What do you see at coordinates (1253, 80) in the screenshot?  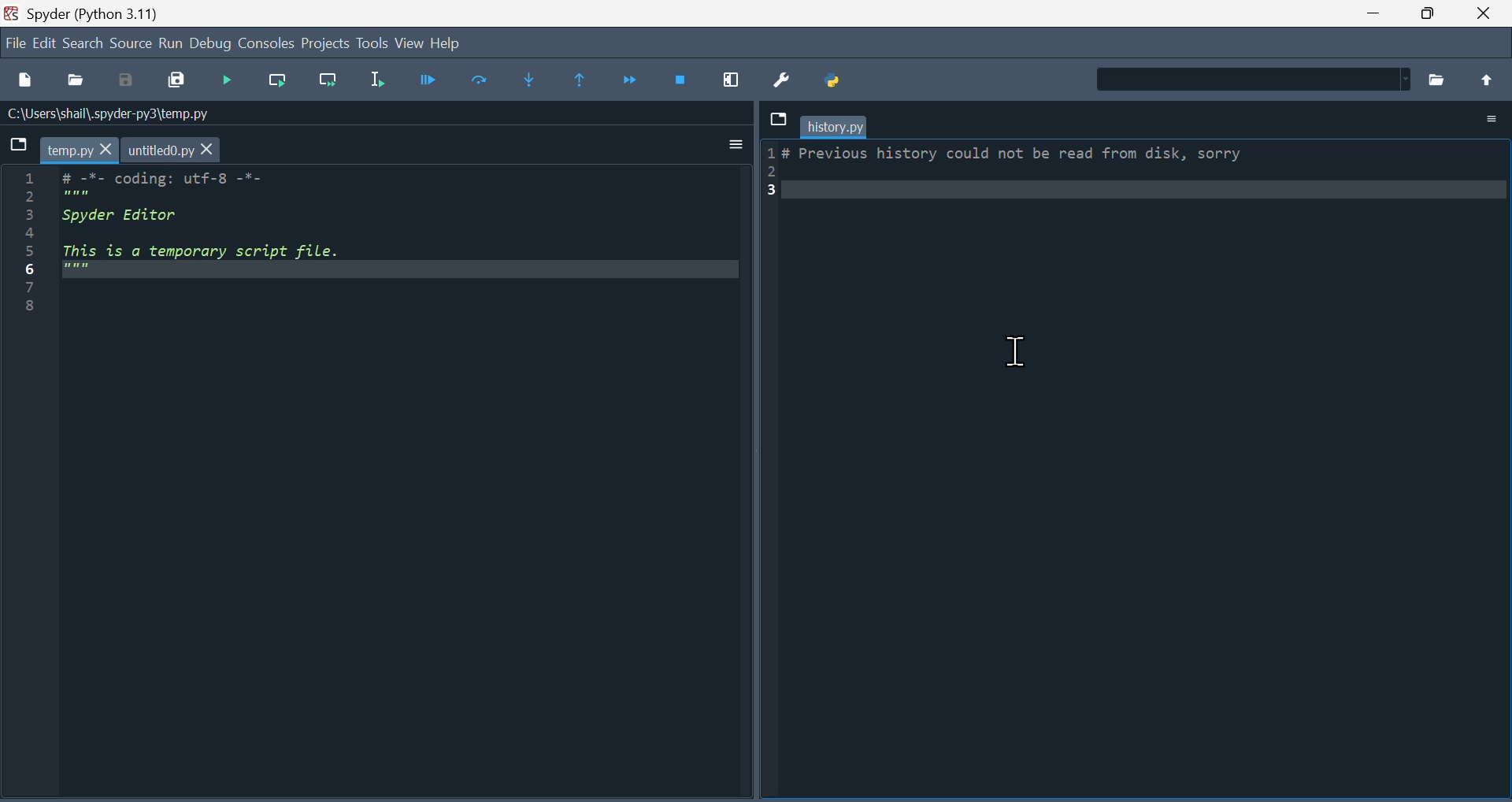 I see `Find in Files` at bounding box center [1253, 80].